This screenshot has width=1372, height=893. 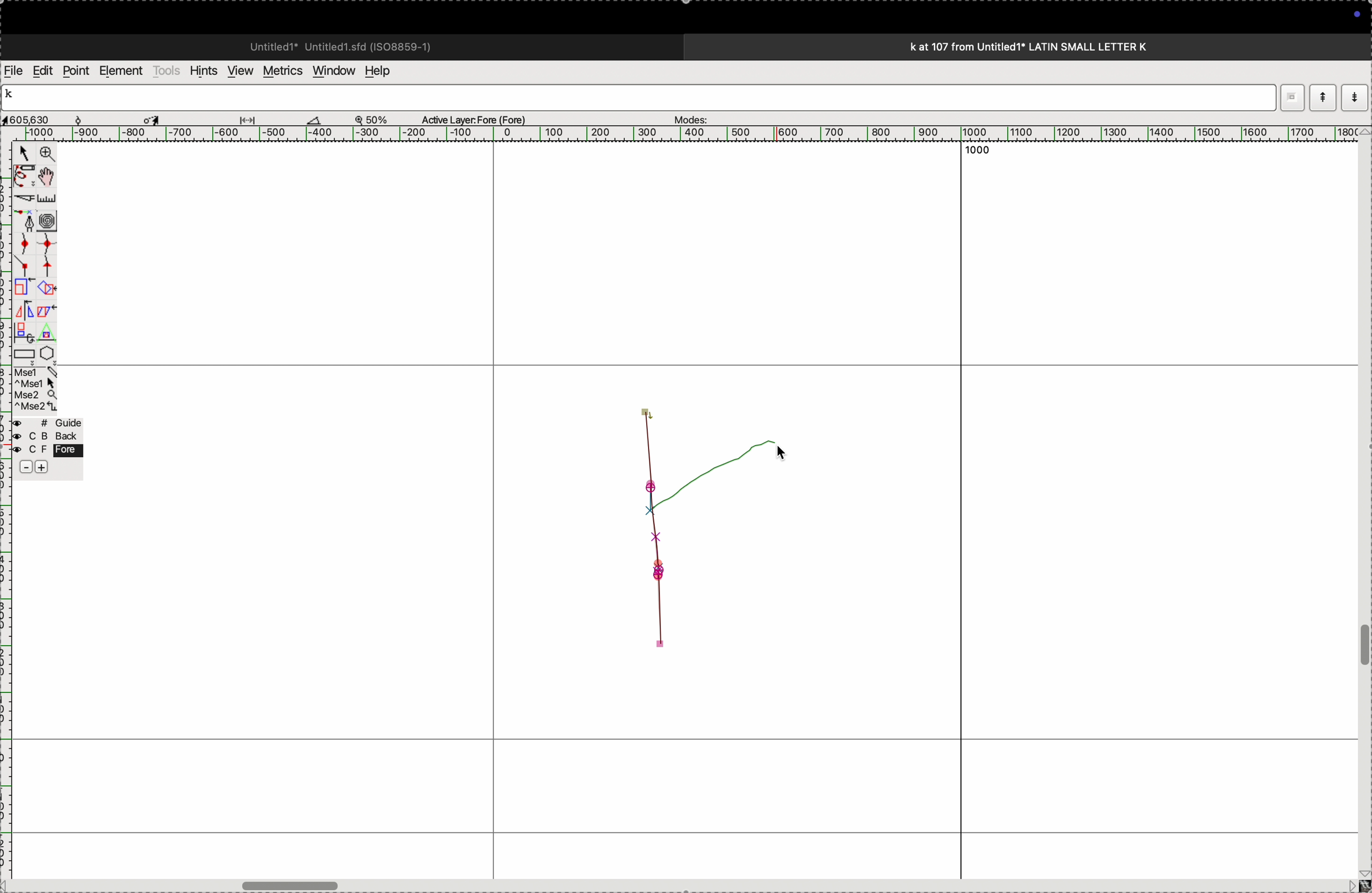 I want to click on active kayer, so click(x=481, y=119).